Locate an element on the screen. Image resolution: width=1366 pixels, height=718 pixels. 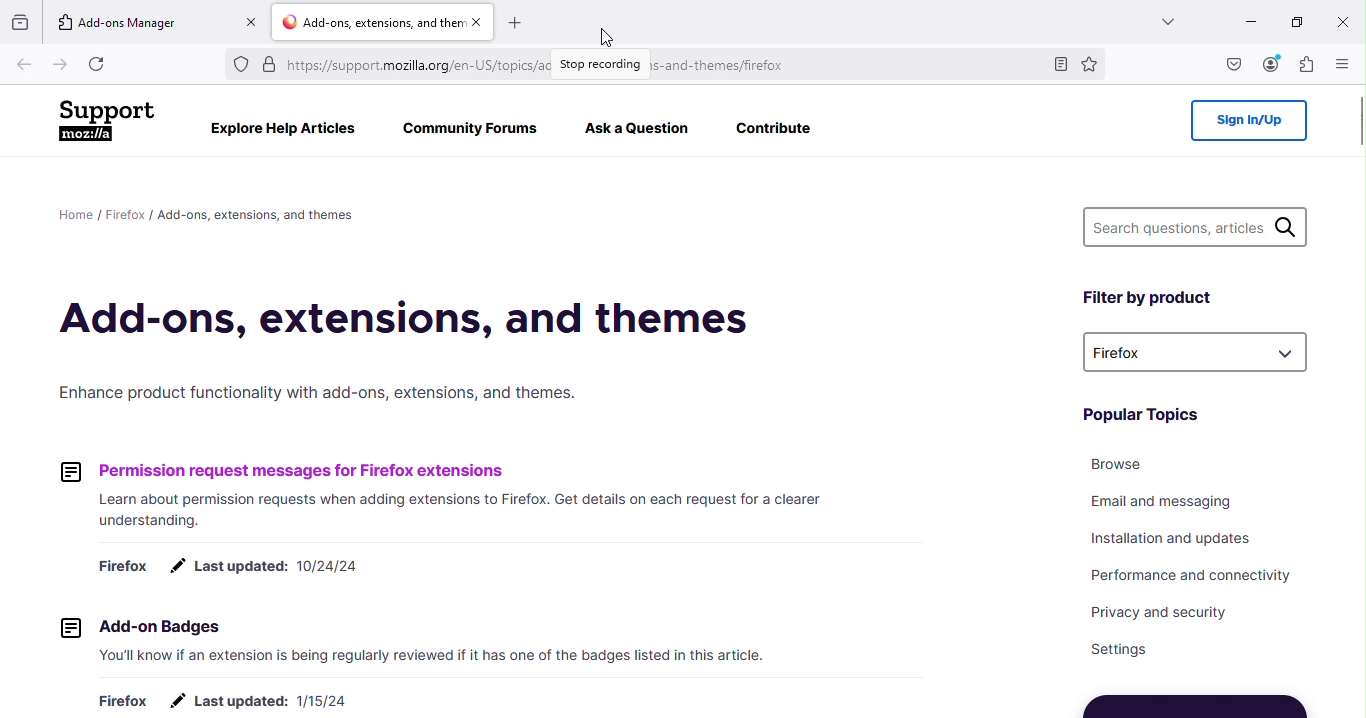
Aska Question is located at coordinates (628, 131).